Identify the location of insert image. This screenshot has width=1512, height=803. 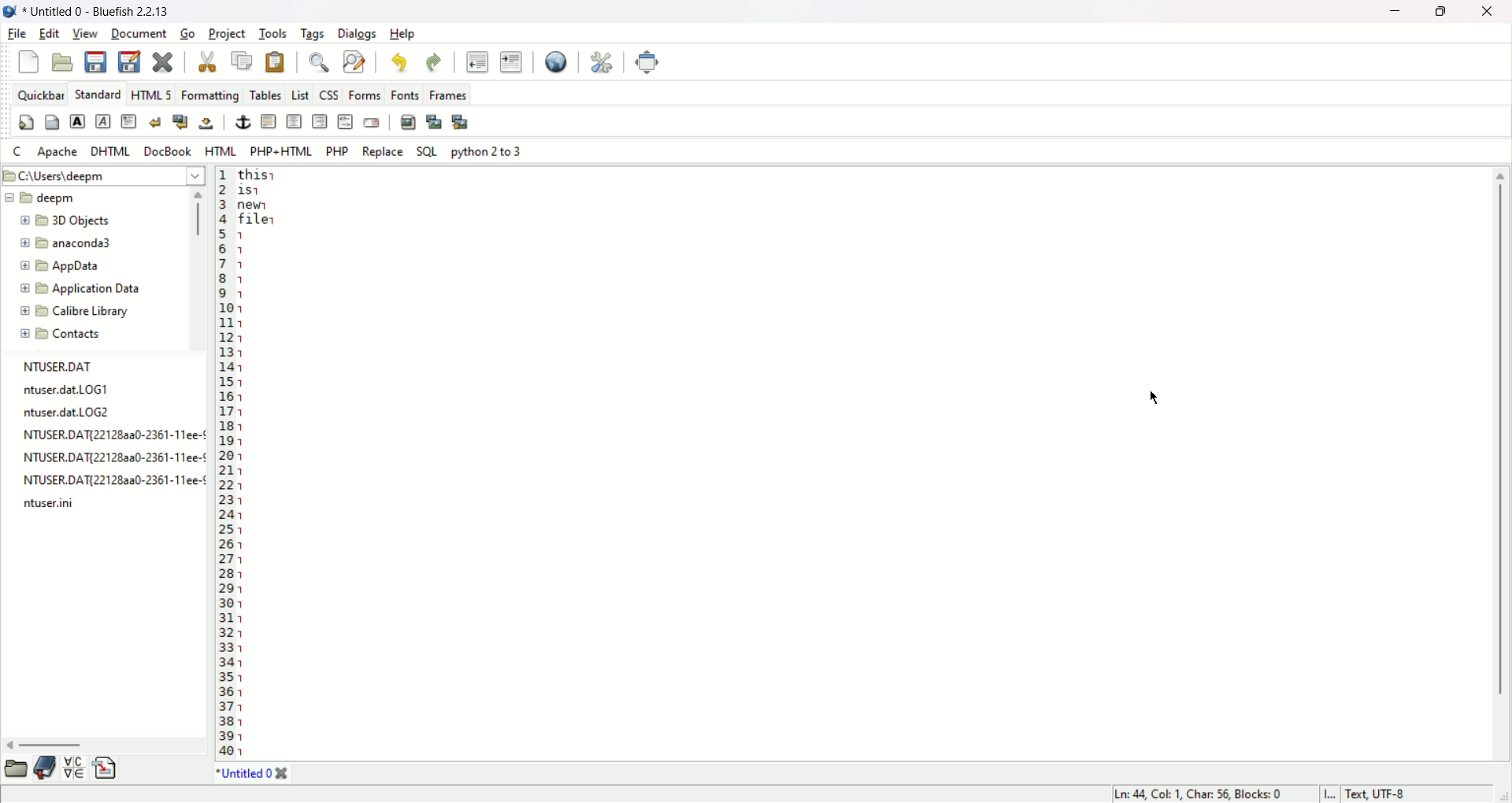
(407, 121).